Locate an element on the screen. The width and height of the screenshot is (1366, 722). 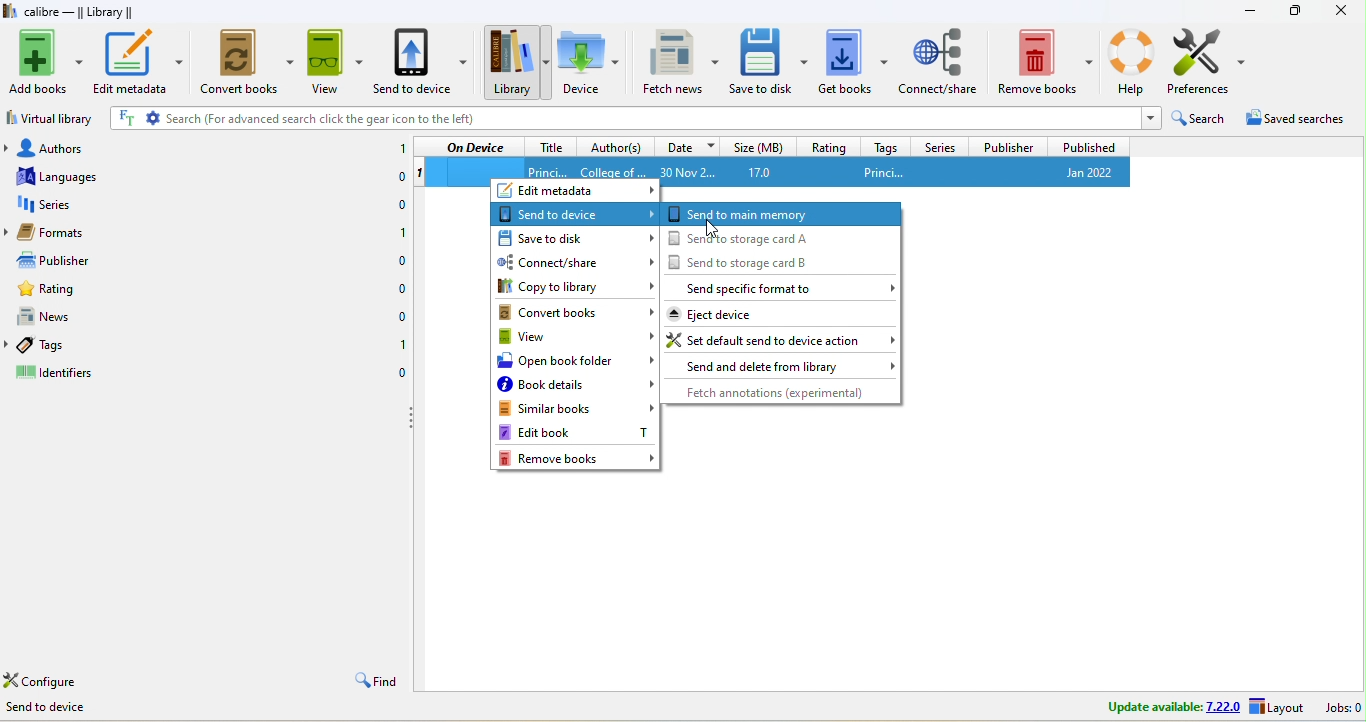
save to disk is located at coordinates (769, 60).